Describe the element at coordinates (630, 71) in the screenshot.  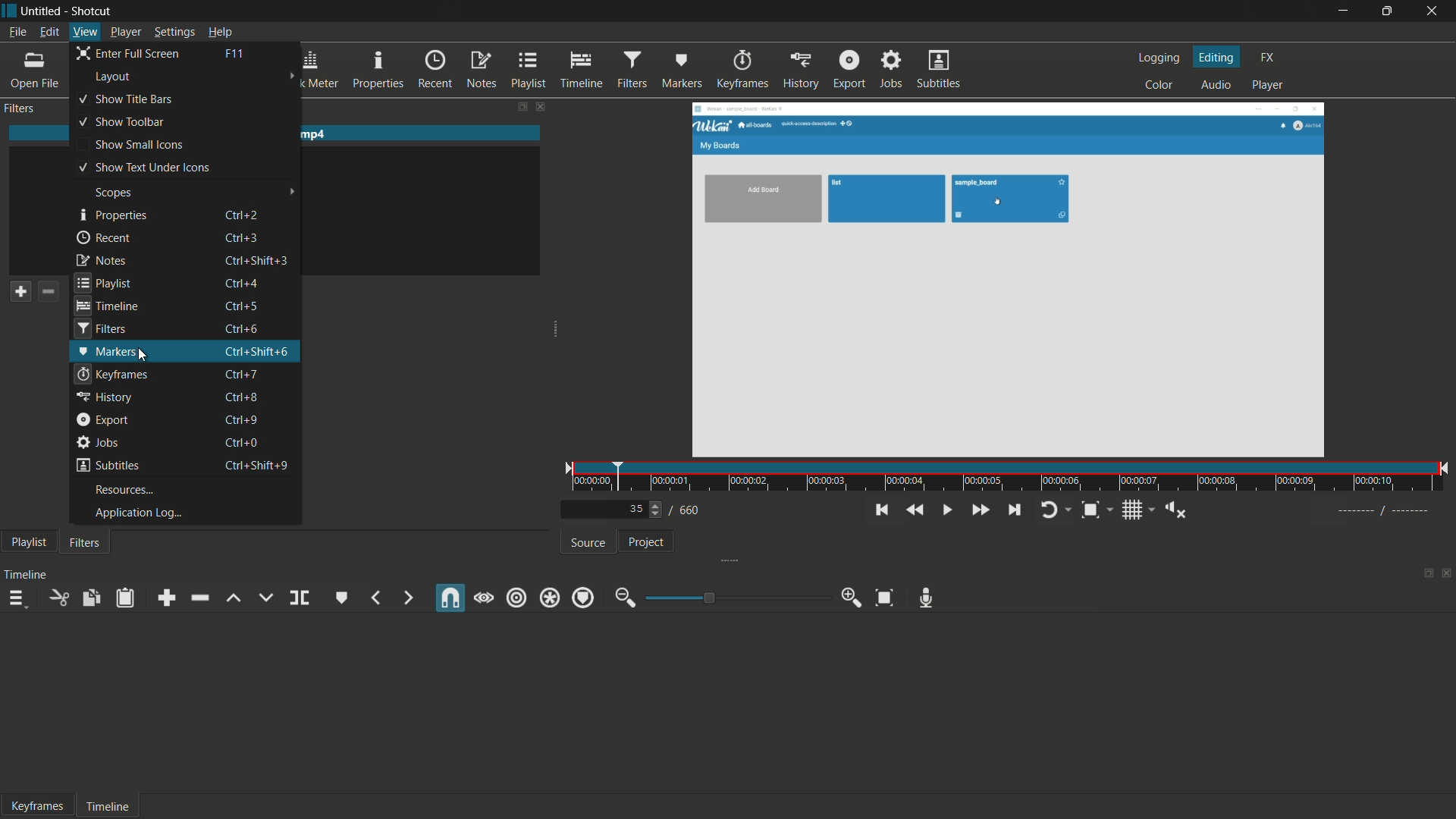
I see `filters` at that location.